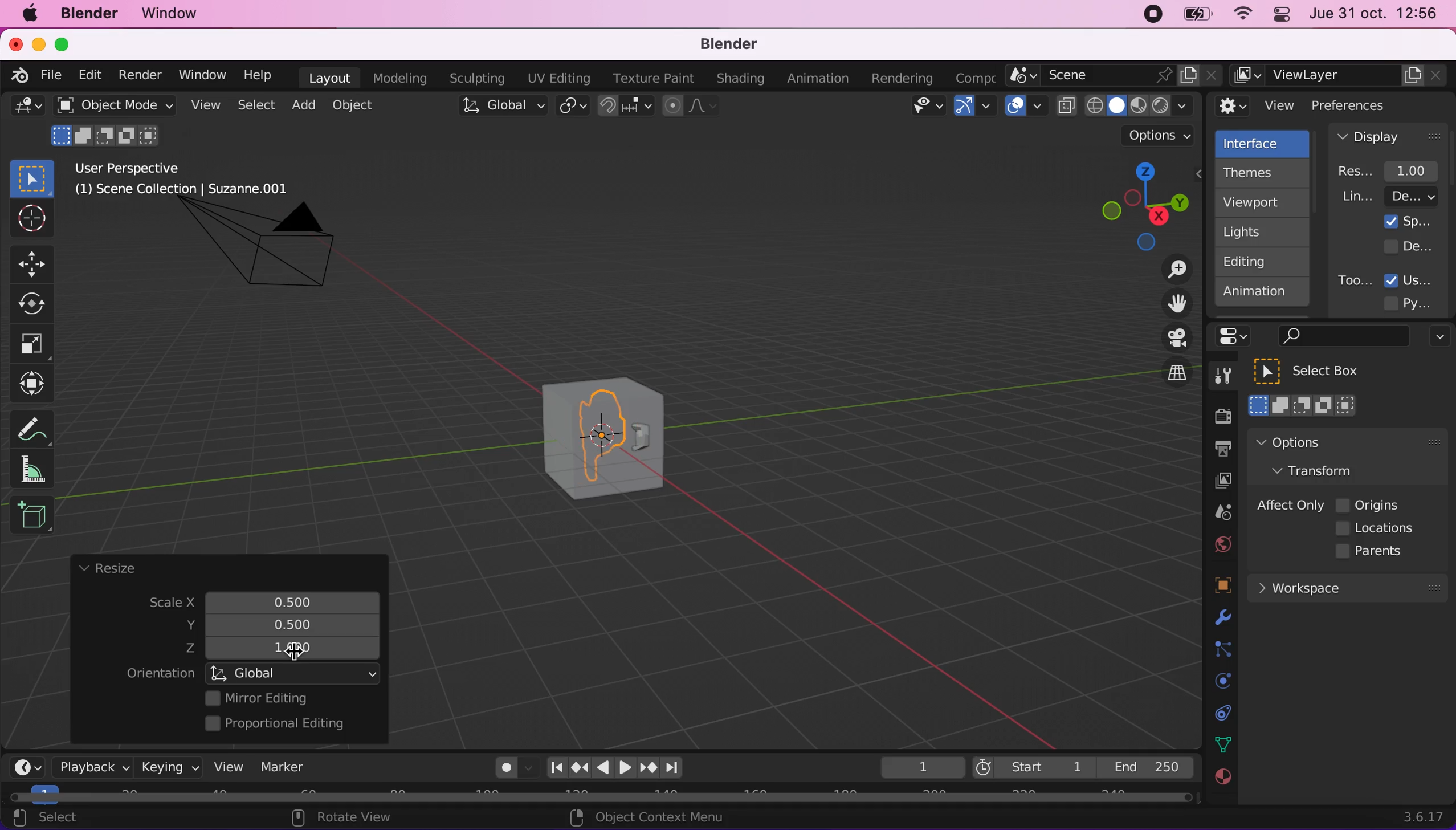 The image size is (1456, 830). Describe the element at coordinates (303, 625) in the screenshot. I see `resized scale y` at that location.